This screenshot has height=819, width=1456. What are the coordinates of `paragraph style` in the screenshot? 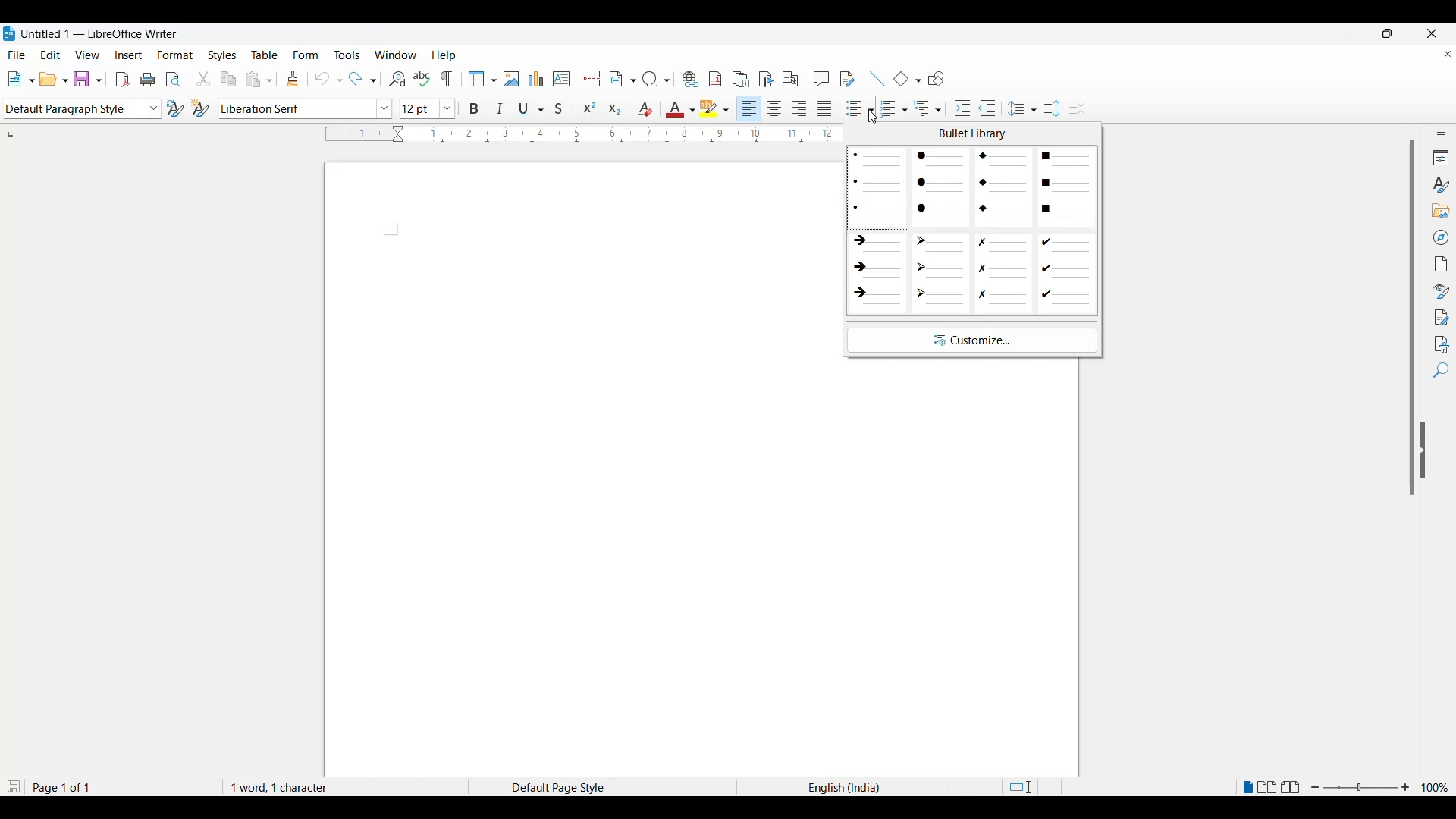 It's located at (80, 109).